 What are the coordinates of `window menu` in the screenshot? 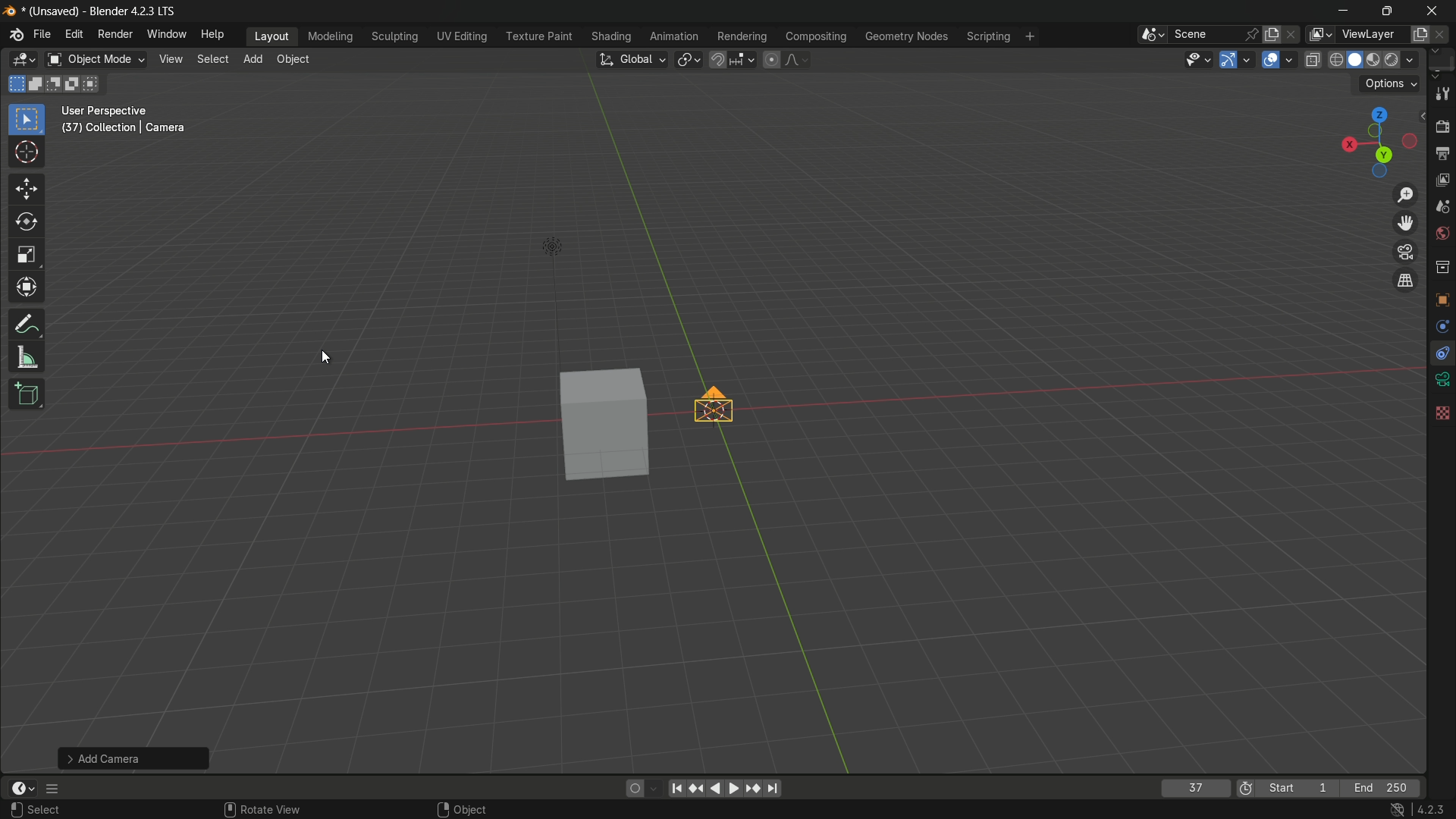 It's located at (165, 35).